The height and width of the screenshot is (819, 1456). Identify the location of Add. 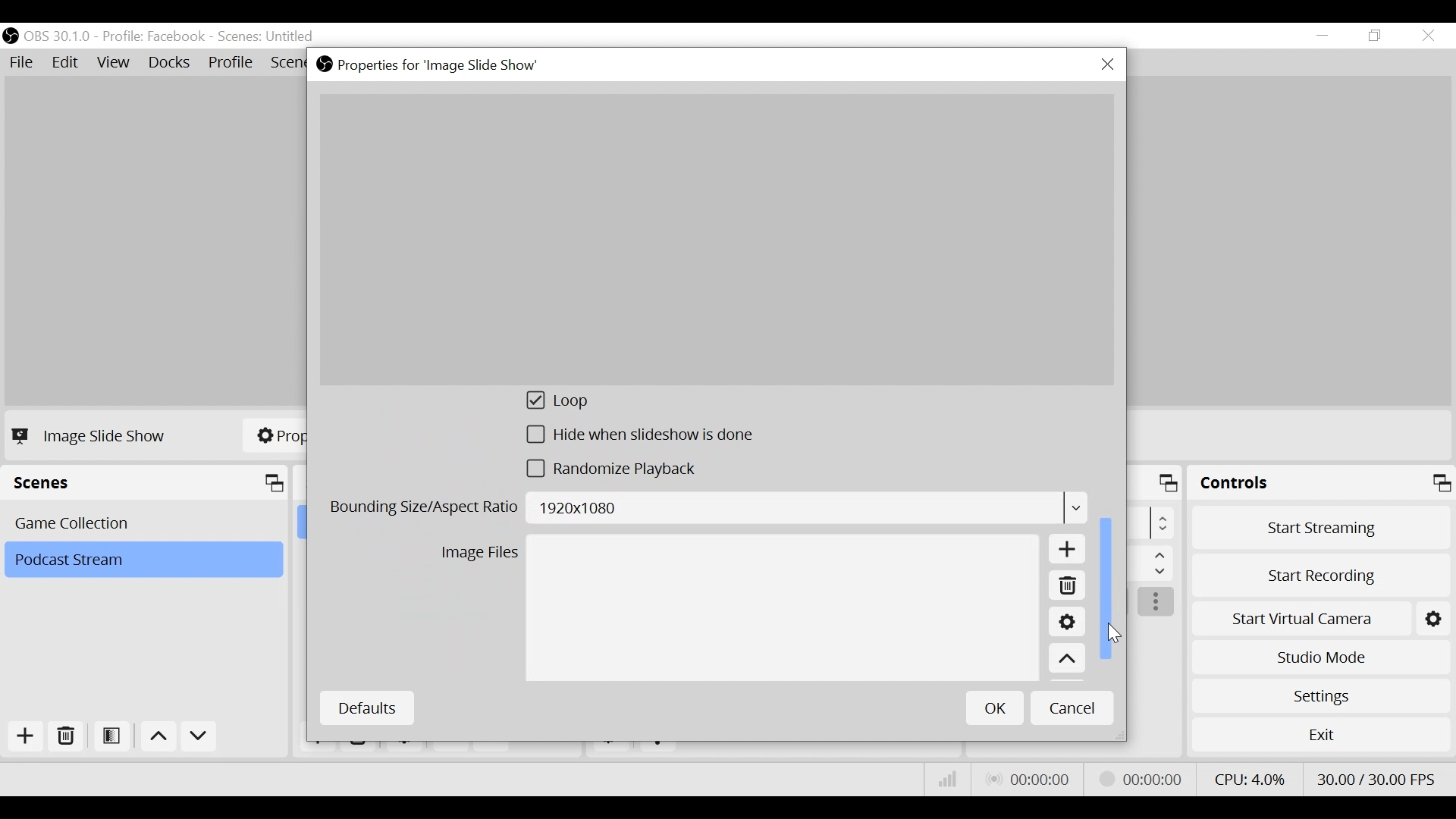
(24, 736).